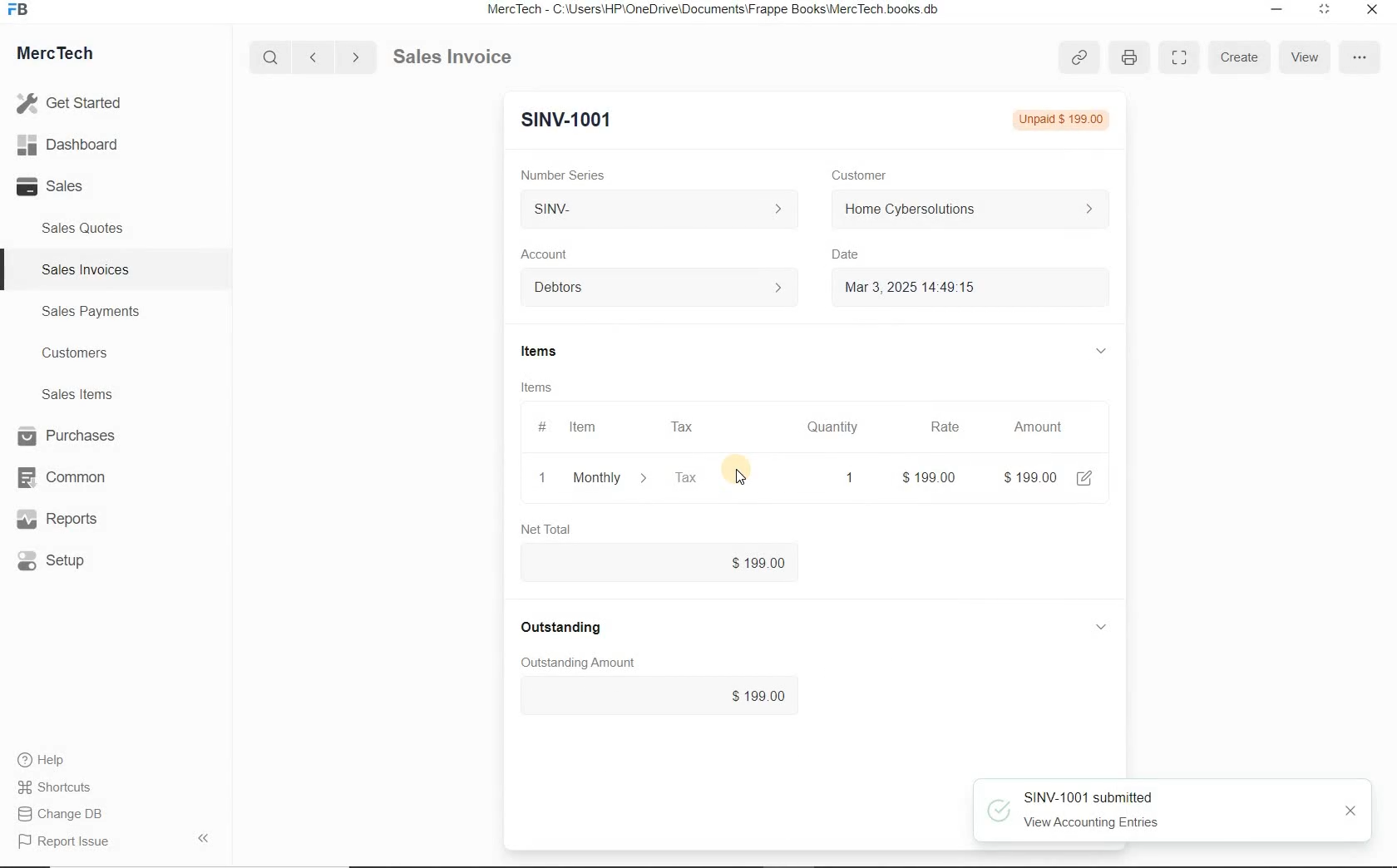  Describe the element at coordinates (1024, 476) in the screenshot. I see `amount: $199.00` at that location.